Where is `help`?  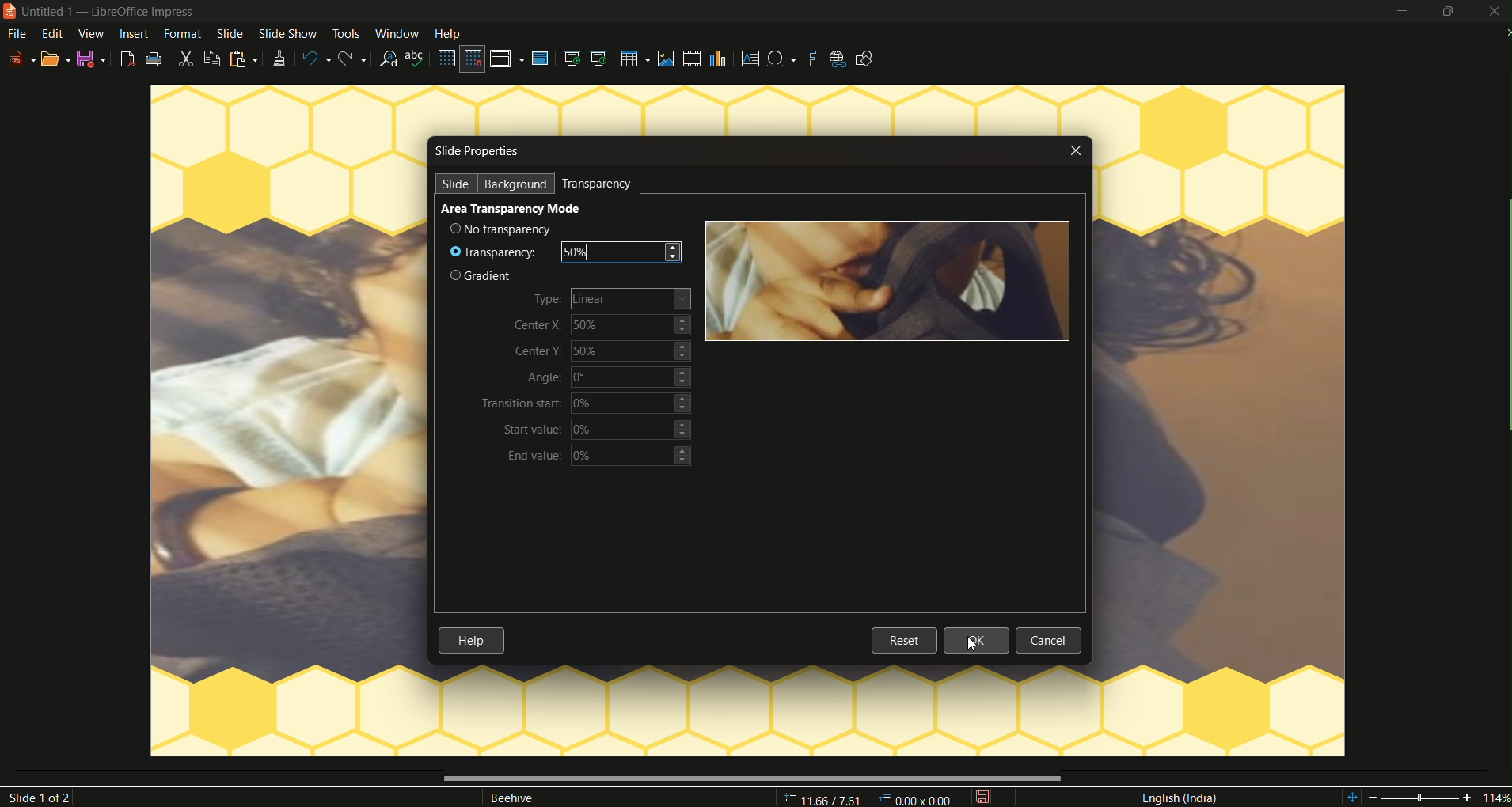
help is located at coordinates (452, 33).